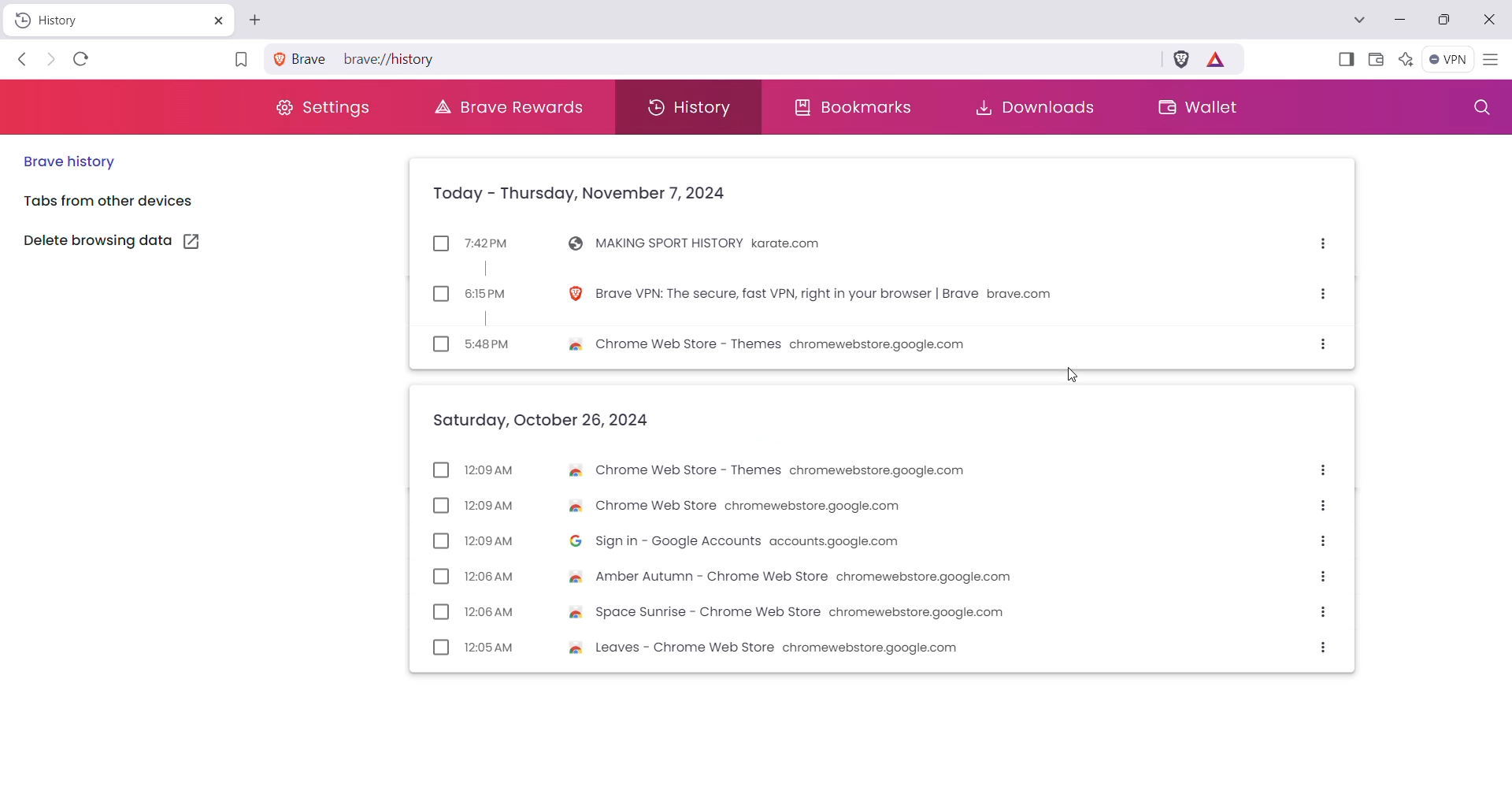 The height and width of the screenshot is (802, 1512). Describe the element at coordinates (1324, 611) in the screenshot. I see `More options` at that location.